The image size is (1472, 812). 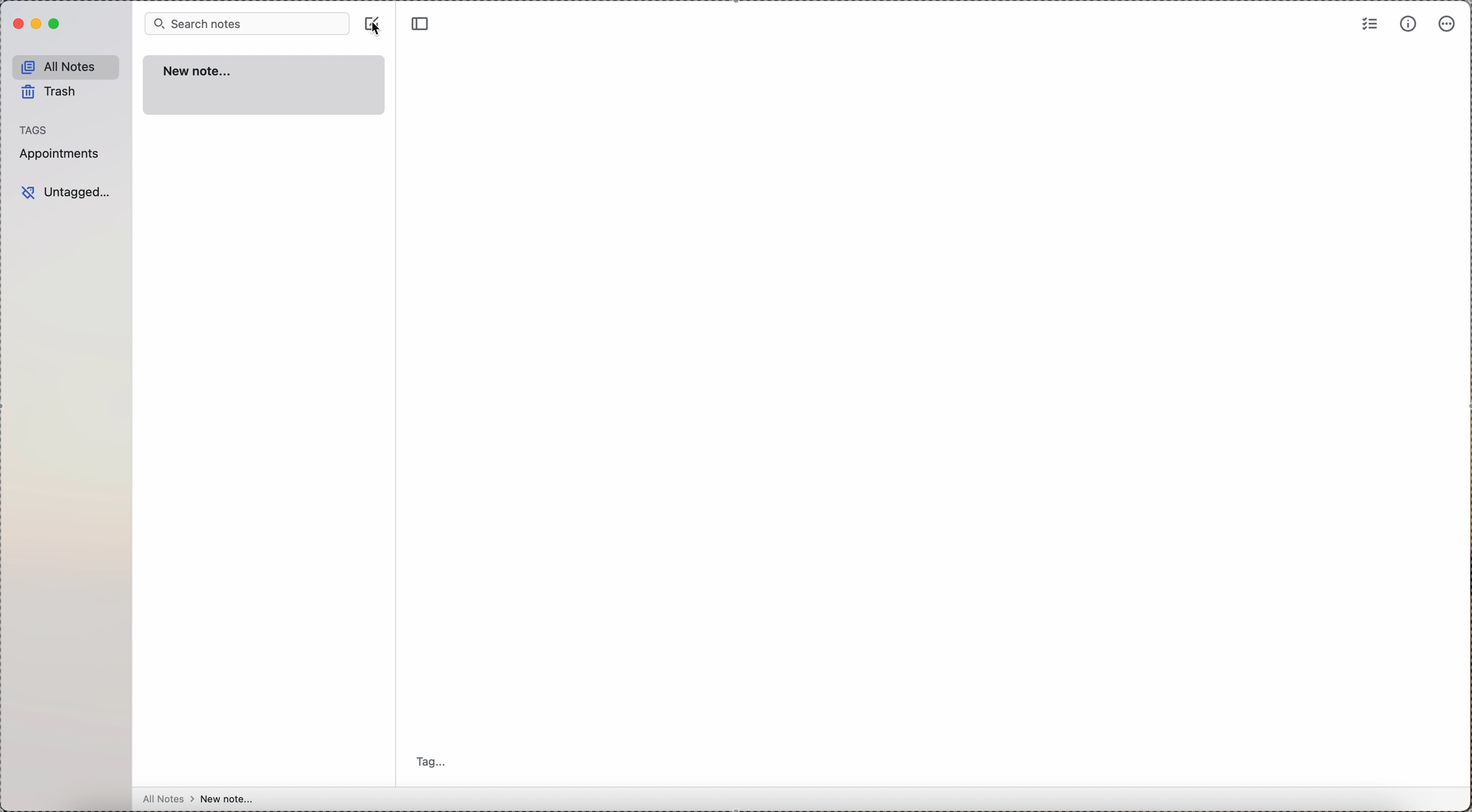 What do you see at coordinates (1368, 25) in the screenshot?
I see `check list` at bounding box center [1368, 25].